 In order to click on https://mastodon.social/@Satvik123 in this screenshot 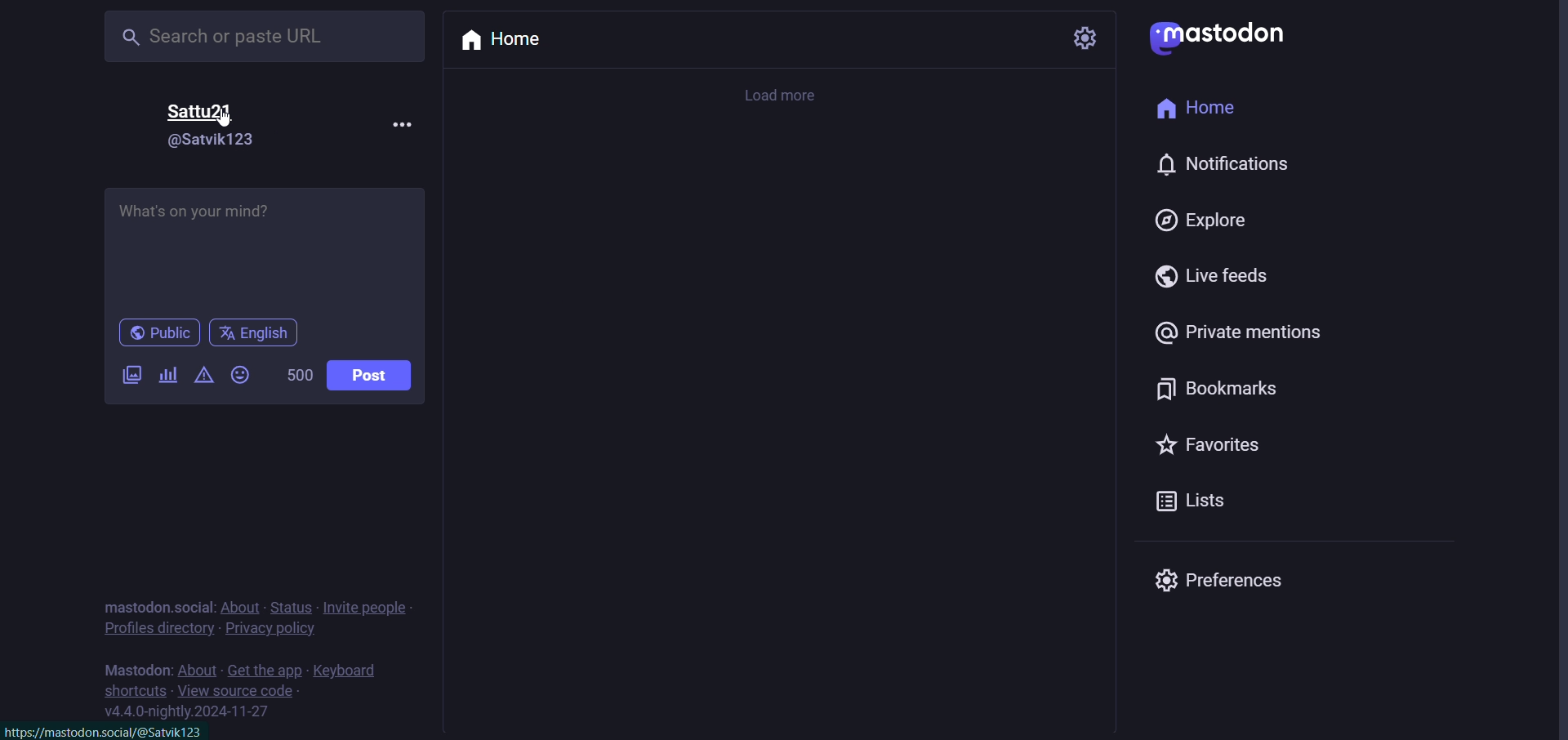, I will do `click(112, 731)`.